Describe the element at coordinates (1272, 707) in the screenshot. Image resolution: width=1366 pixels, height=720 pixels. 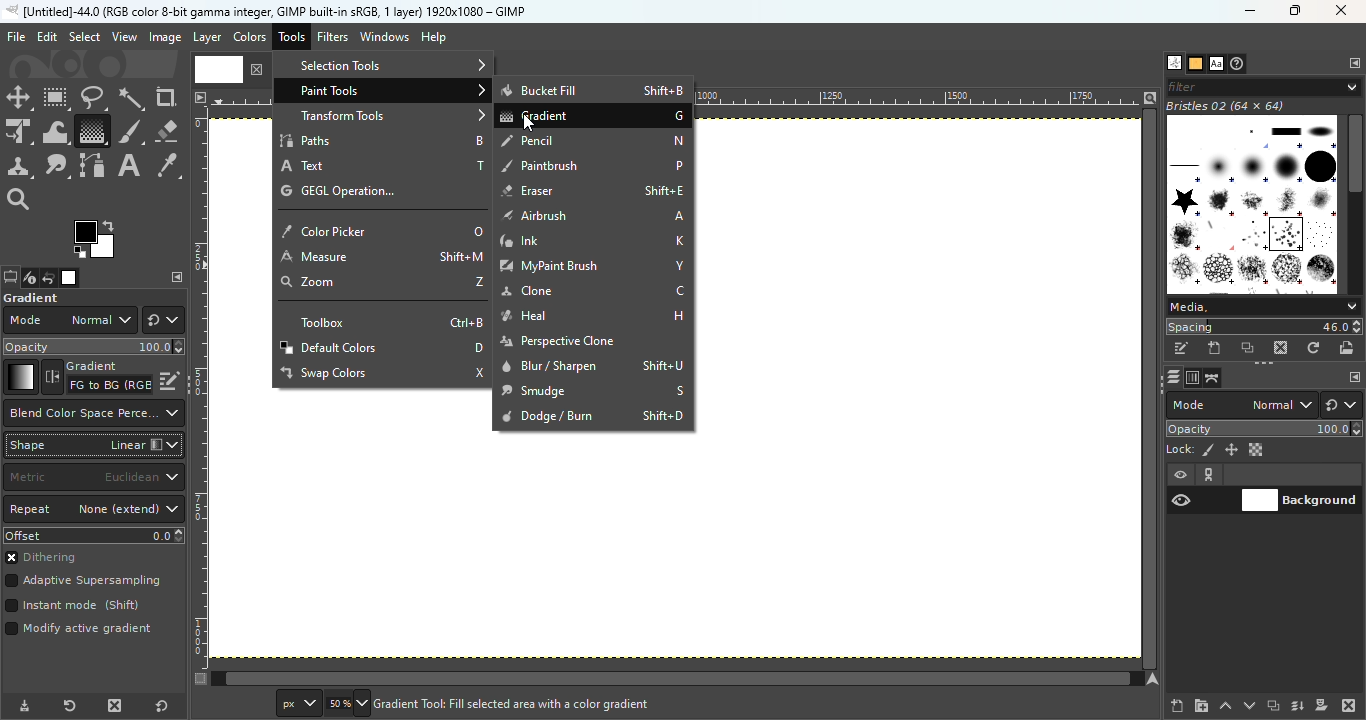
I see `Create a duplicate of the layer and add it to the image` at that location.